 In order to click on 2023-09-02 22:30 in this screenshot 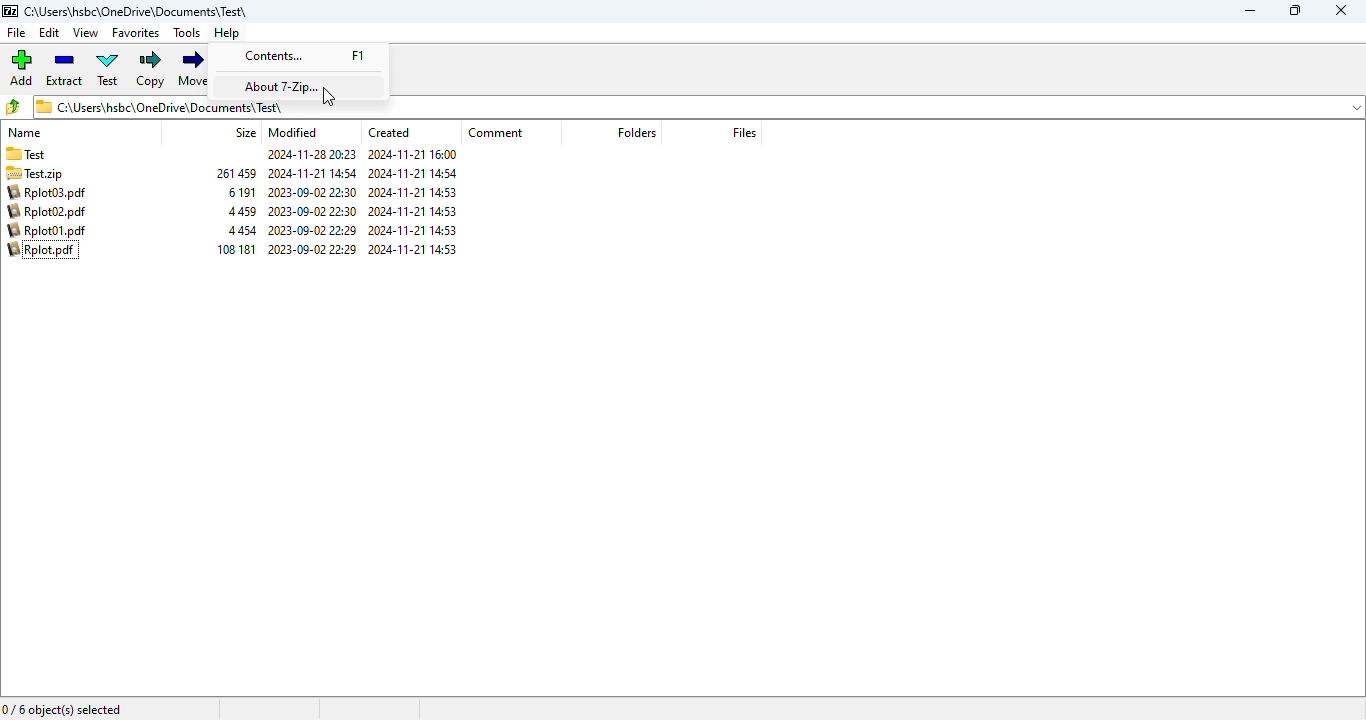, I will do `click(314, 192)`.